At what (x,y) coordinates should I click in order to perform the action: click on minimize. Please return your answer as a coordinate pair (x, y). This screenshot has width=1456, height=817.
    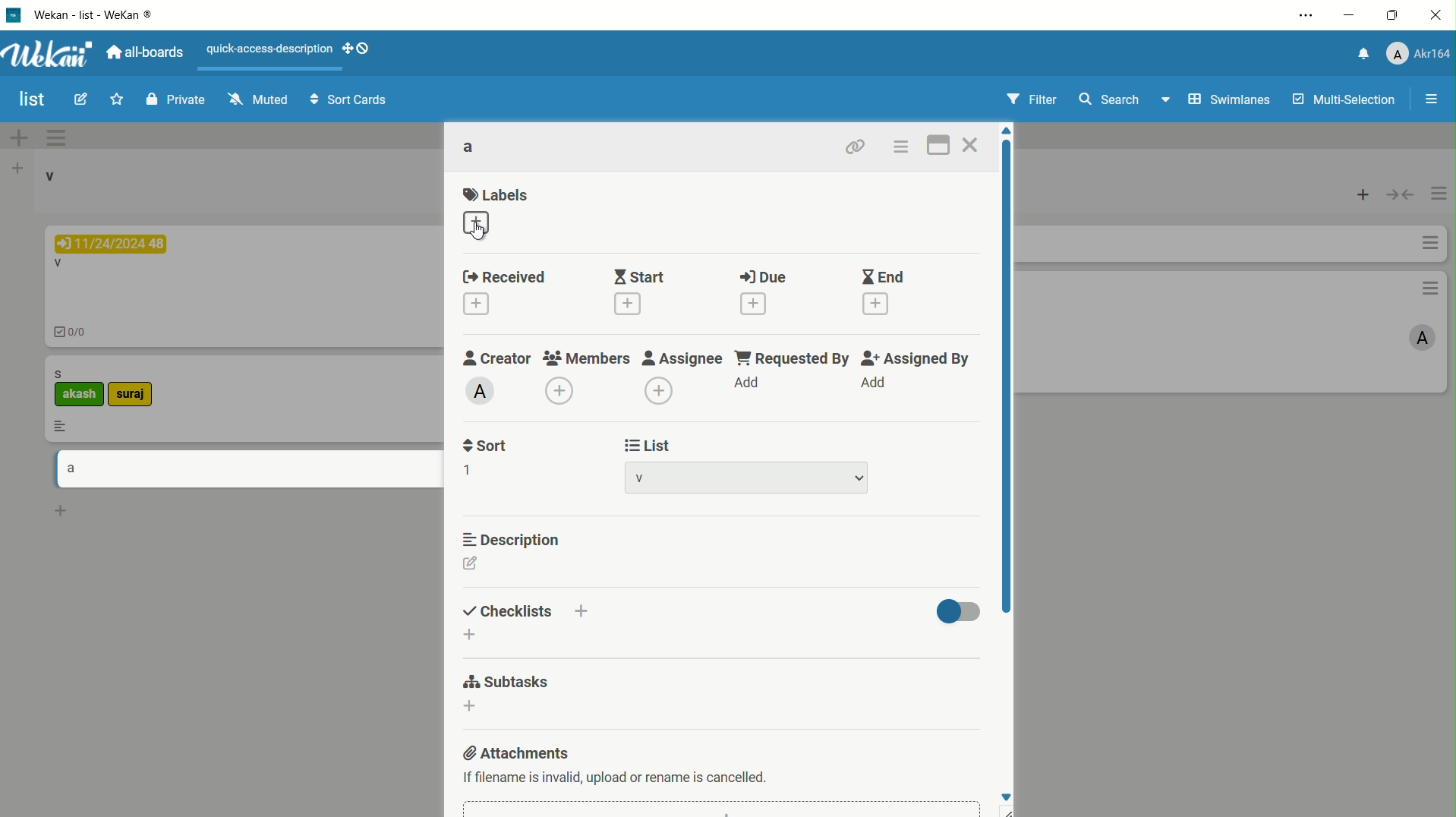
    Looking at the image, I should click on (1351, 17).